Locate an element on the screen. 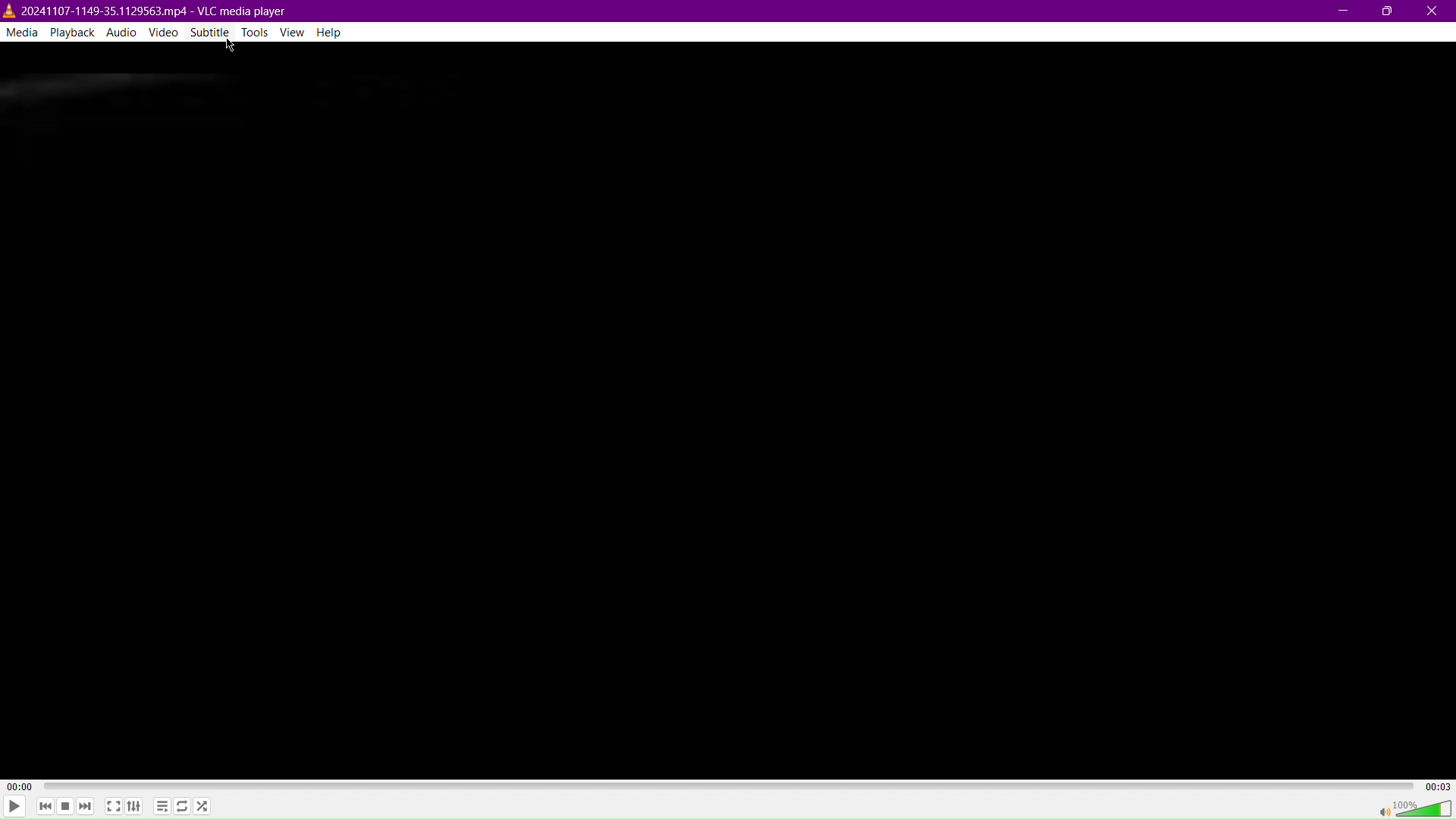 This screenshot has width=1456, height=819. Extended Settings is located at coordinates (135, 807).